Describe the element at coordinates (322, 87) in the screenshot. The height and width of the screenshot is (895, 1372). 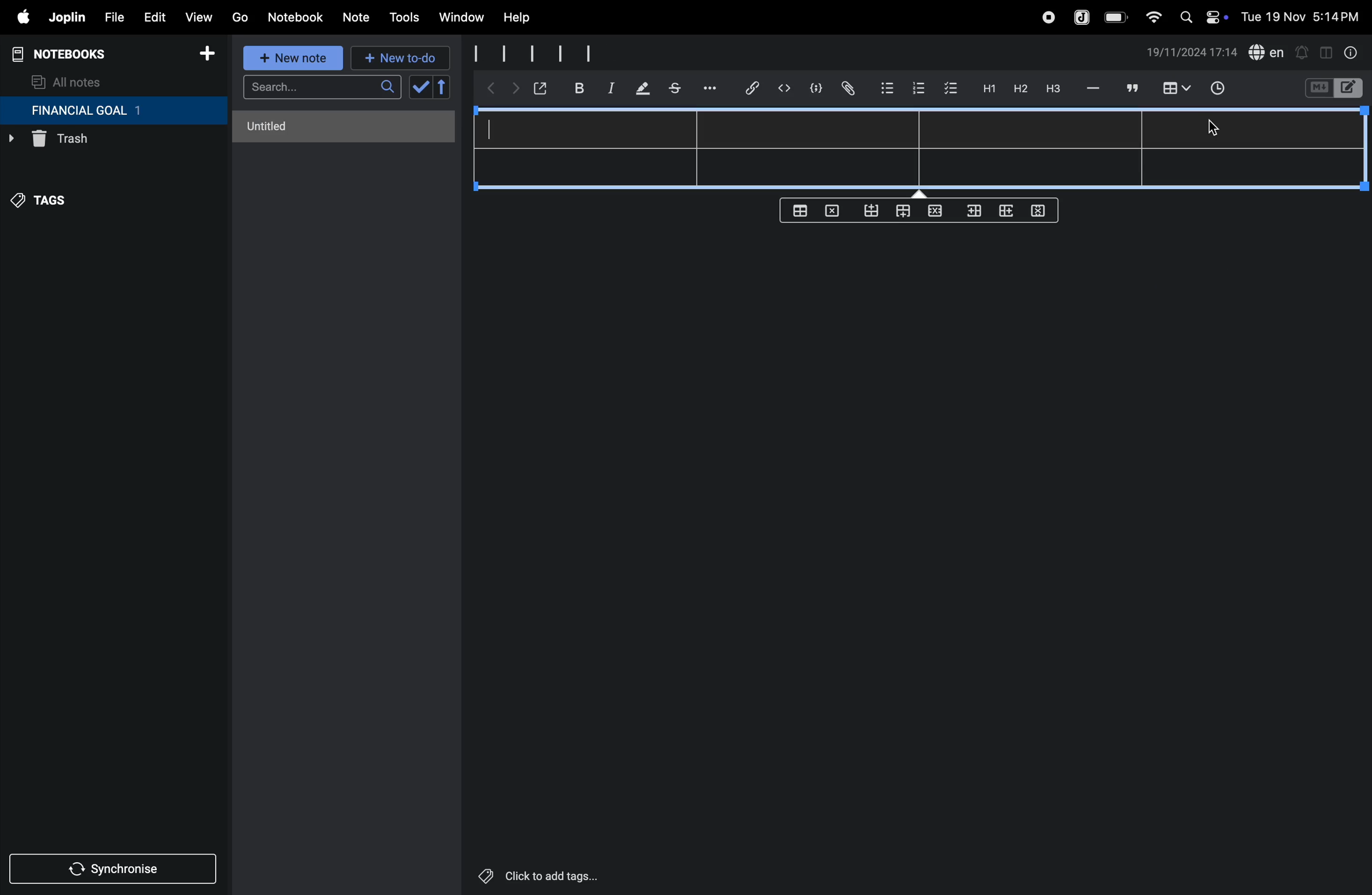
I see `search` at that location.